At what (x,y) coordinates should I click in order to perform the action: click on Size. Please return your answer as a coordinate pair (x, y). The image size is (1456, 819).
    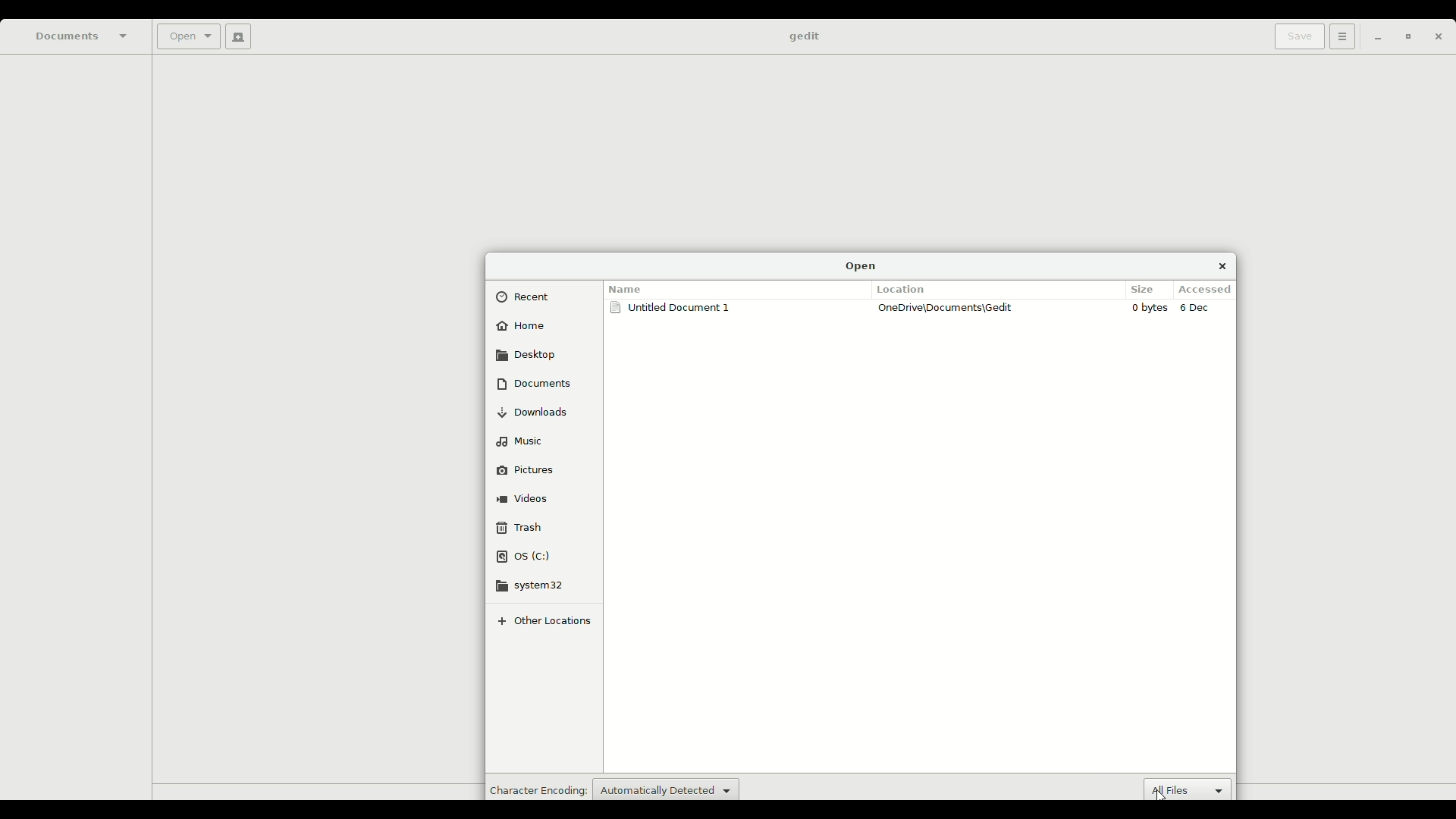
    Looking at the image, I should click on (1146, 288).